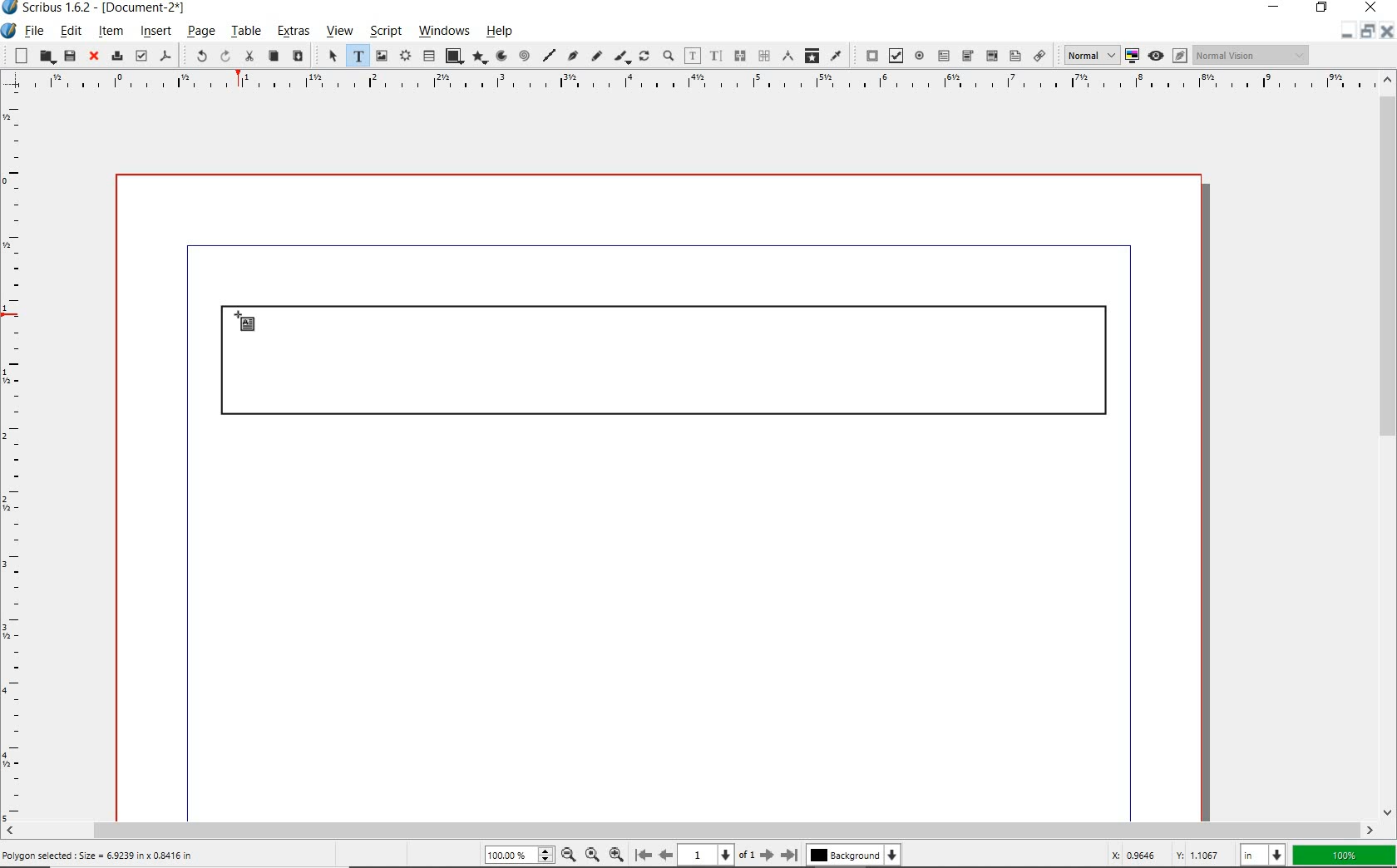 This screenshot has width=1397, height=868. I want to click on pdf text field, so click(944, 56).